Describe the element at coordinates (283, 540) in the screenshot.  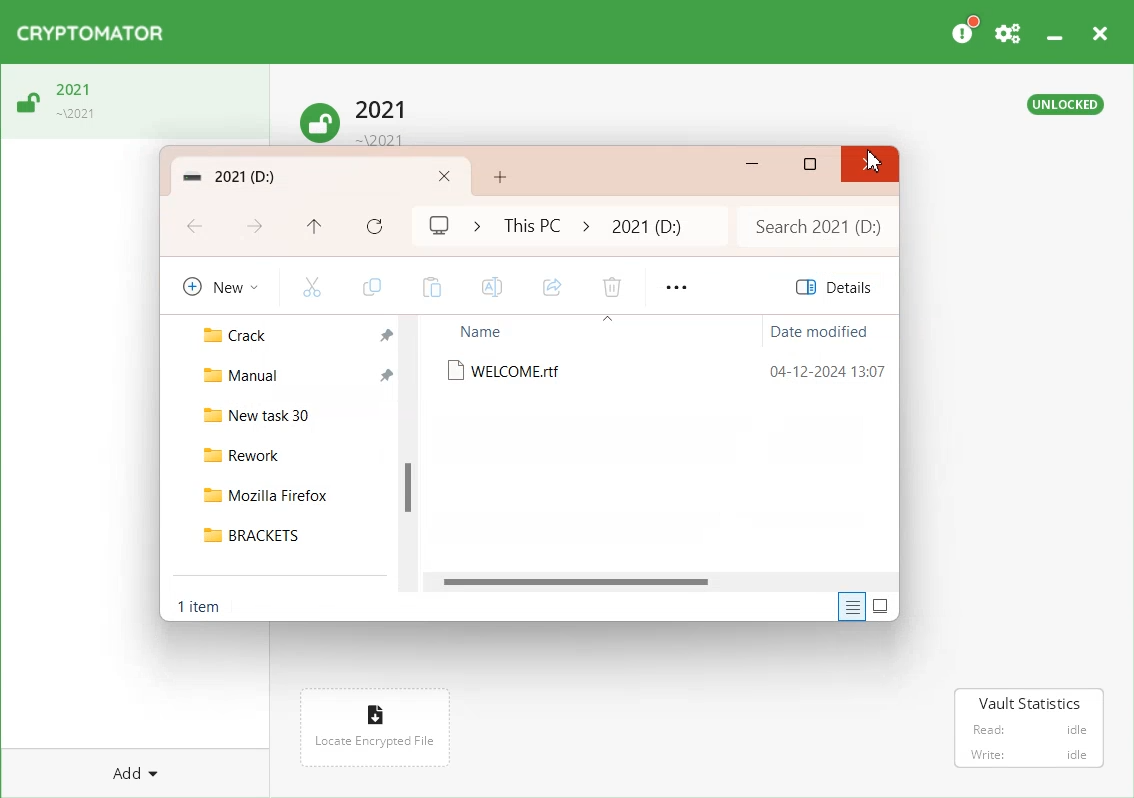
I see `BRACKETS` at that location.